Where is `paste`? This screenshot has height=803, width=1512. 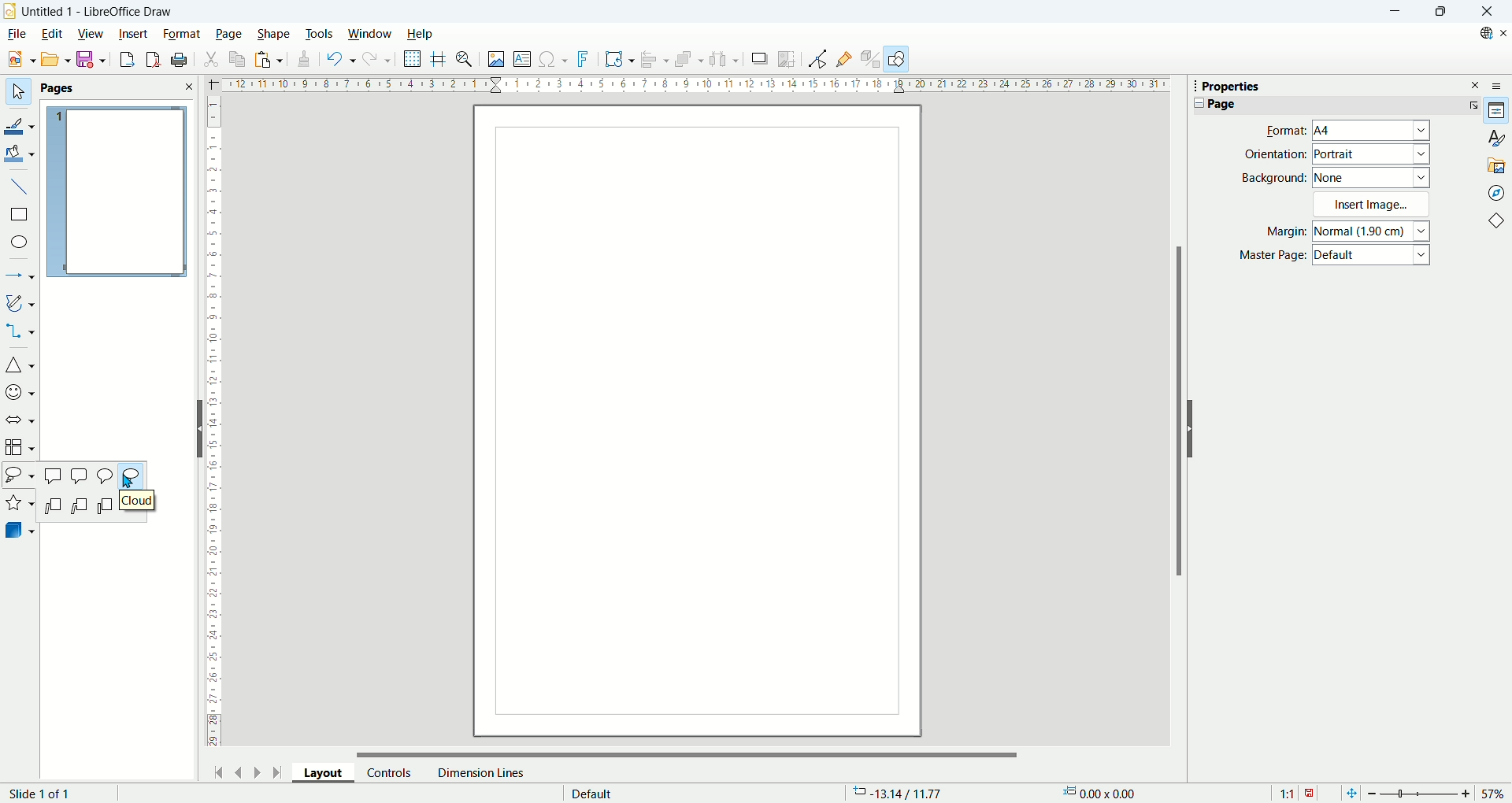 paste is located at coordinates (268, 59).